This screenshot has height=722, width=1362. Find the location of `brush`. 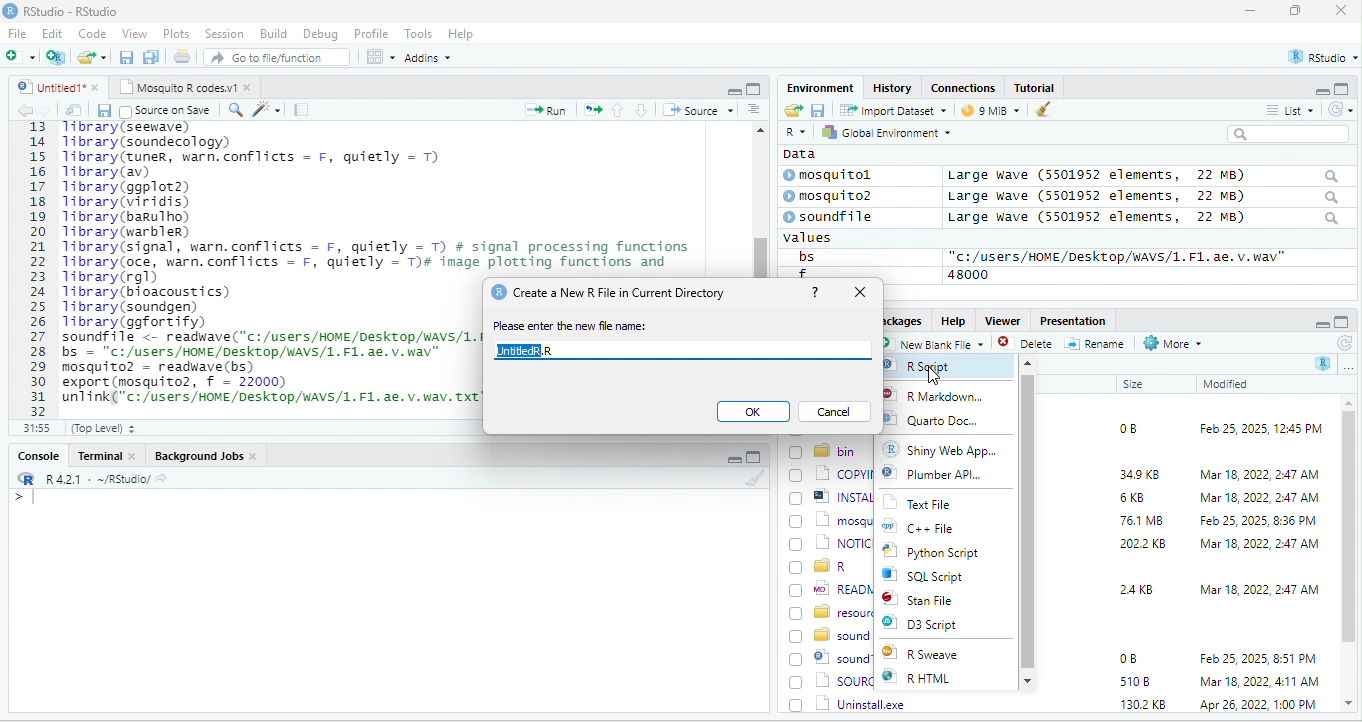

brush is located at coordinates (757, 479).